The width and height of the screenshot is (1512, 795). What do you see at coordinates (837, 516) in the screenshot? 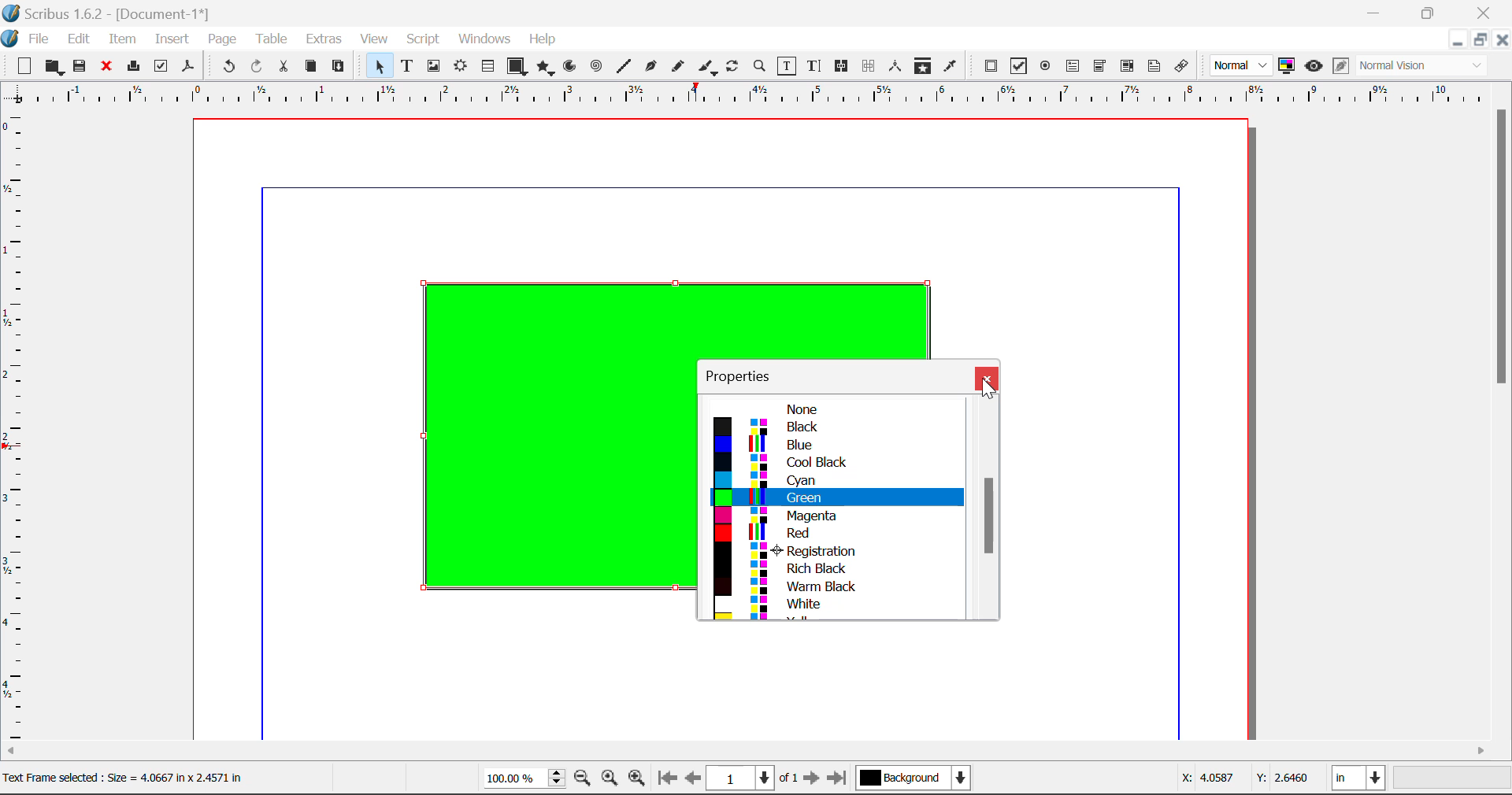
I see `Magenta` at bounding box center [837, 516].